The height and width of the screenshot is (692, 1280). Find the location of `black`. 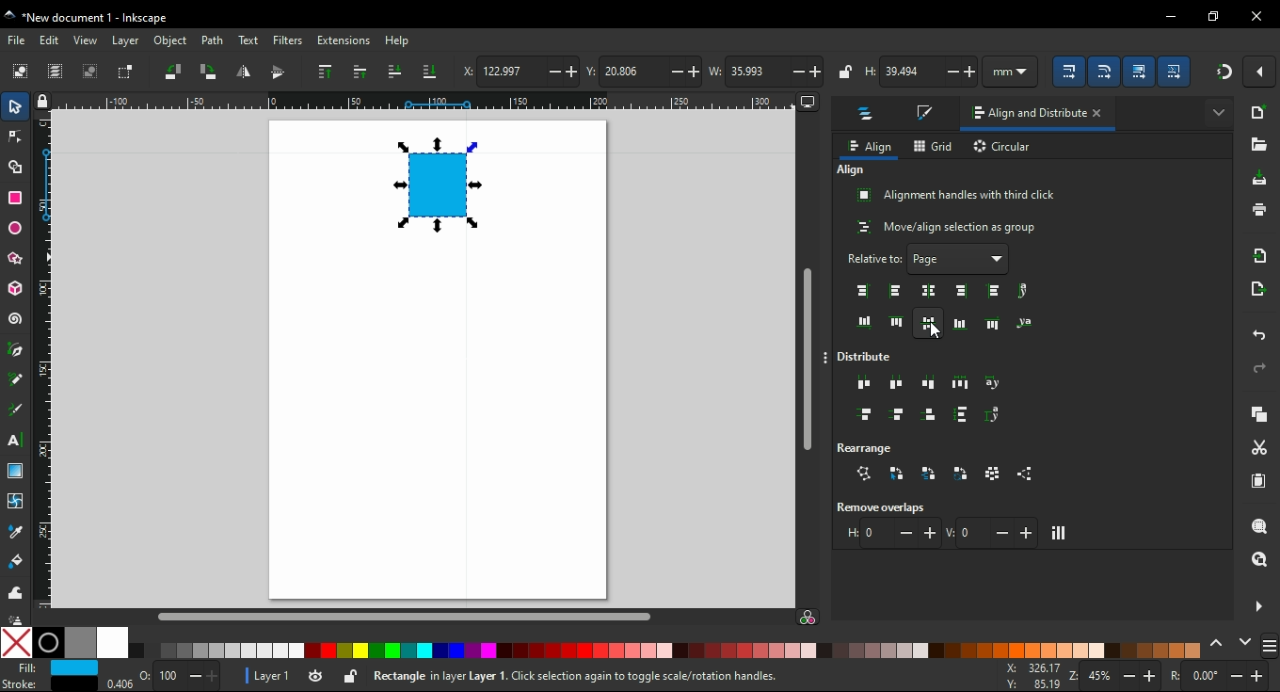

black is located at coordinates (48, 643).